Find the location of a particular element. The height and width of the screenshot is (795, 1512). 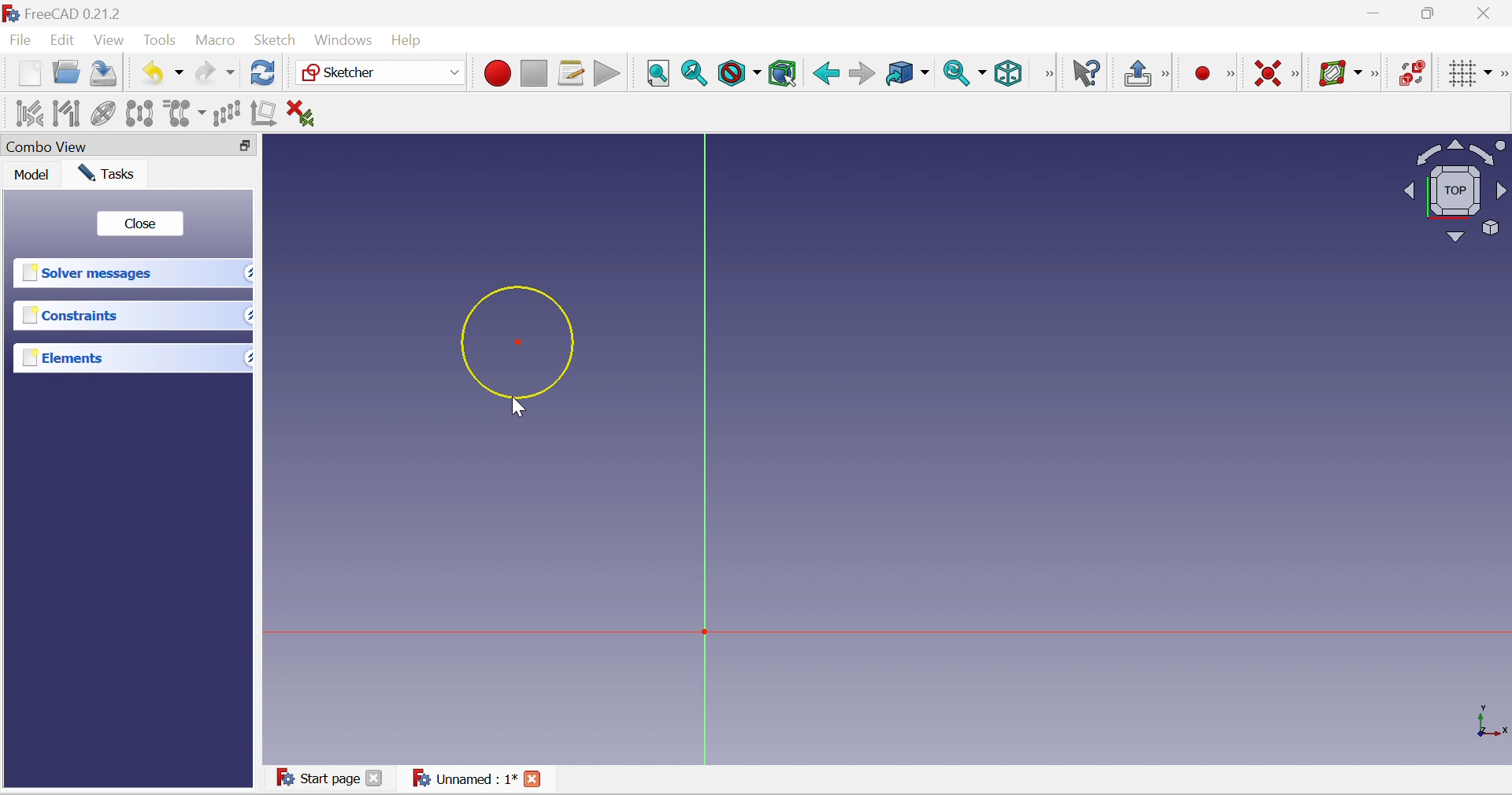

View is located at coordinates (109, 39).